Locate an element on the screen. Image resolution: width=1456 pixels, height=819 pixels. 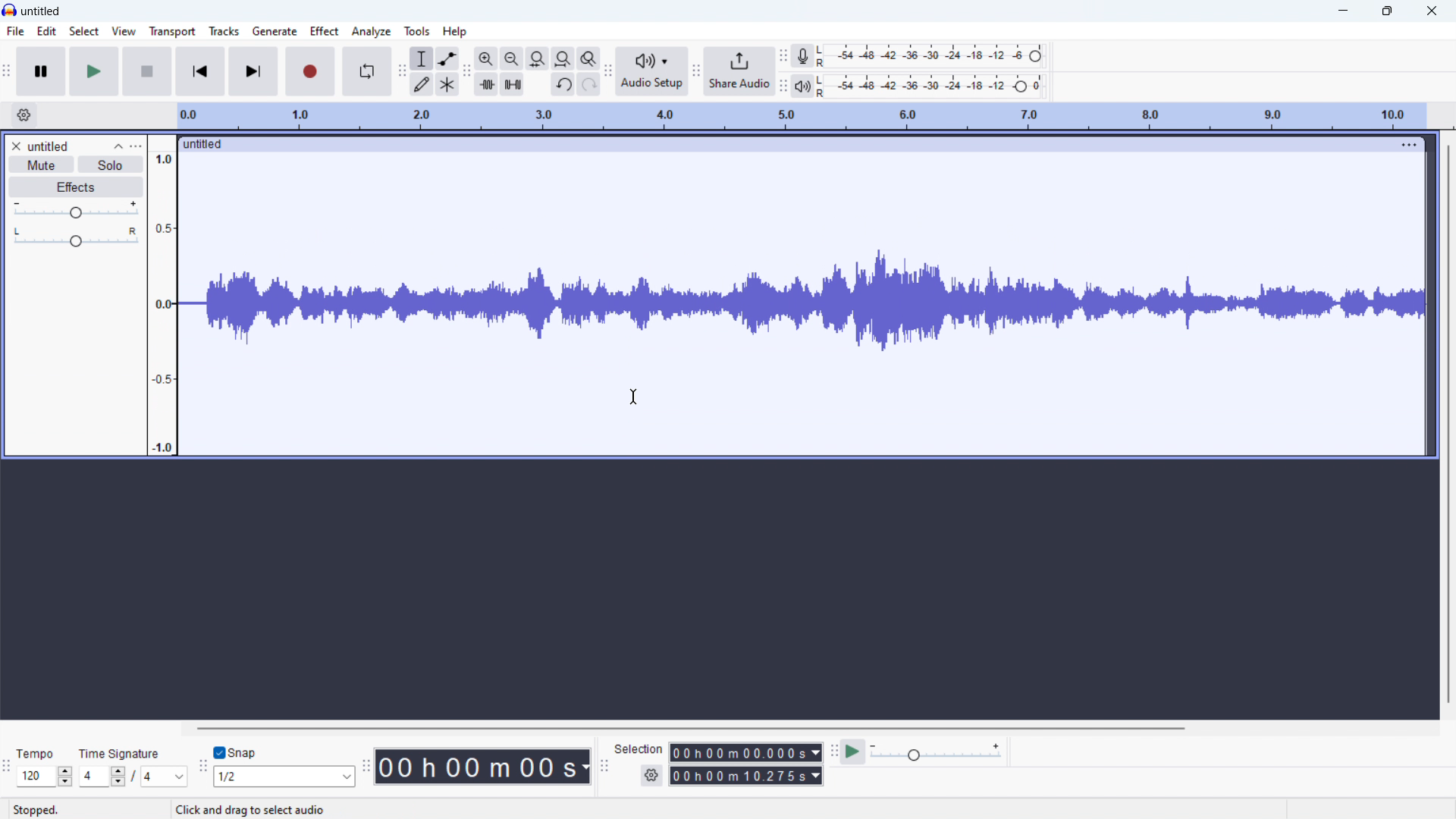
toggle zoom is located at coordinates (588, 58).